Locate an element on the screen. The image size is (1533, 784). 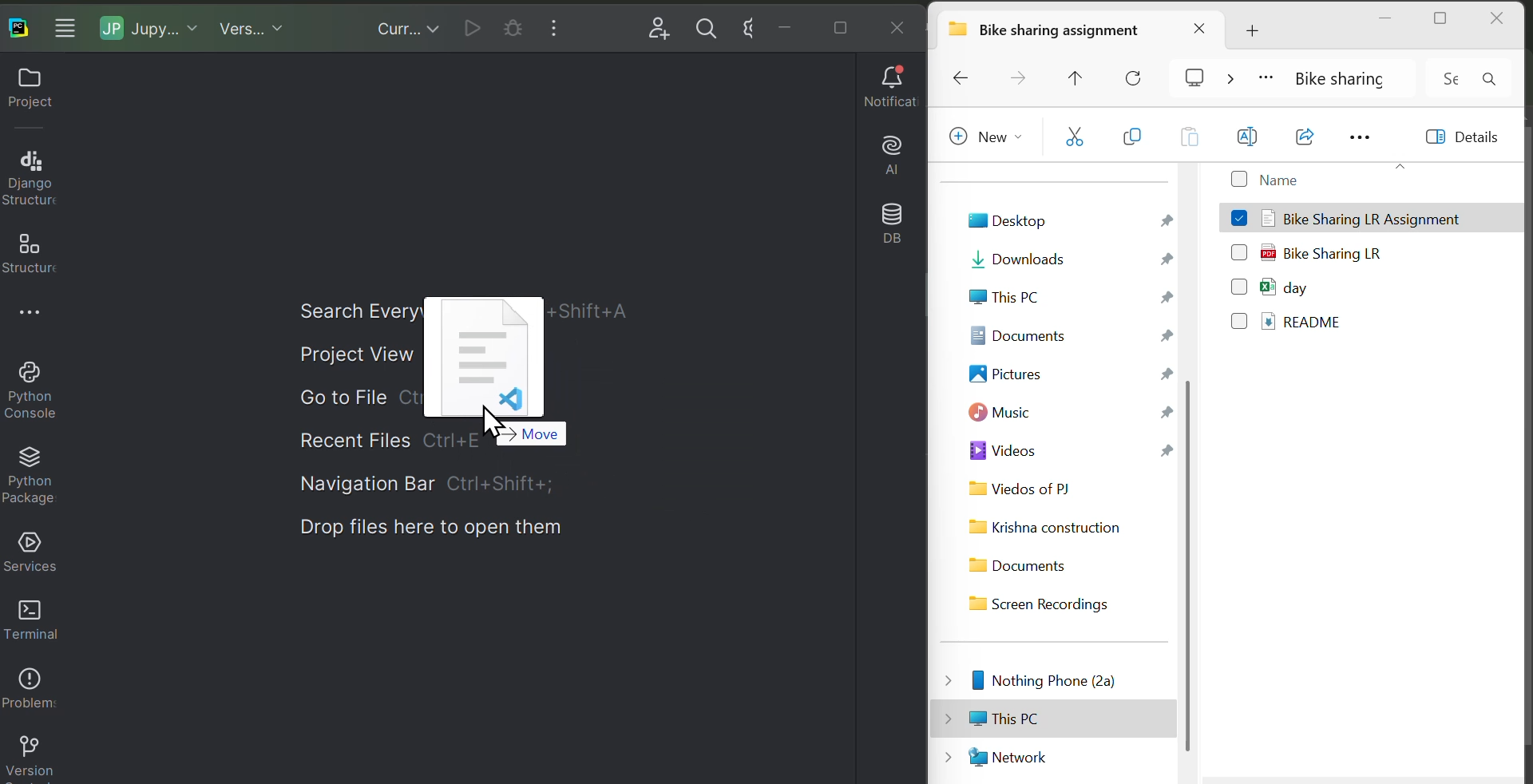
Bike sharing is located at coordinates (1338, 77).